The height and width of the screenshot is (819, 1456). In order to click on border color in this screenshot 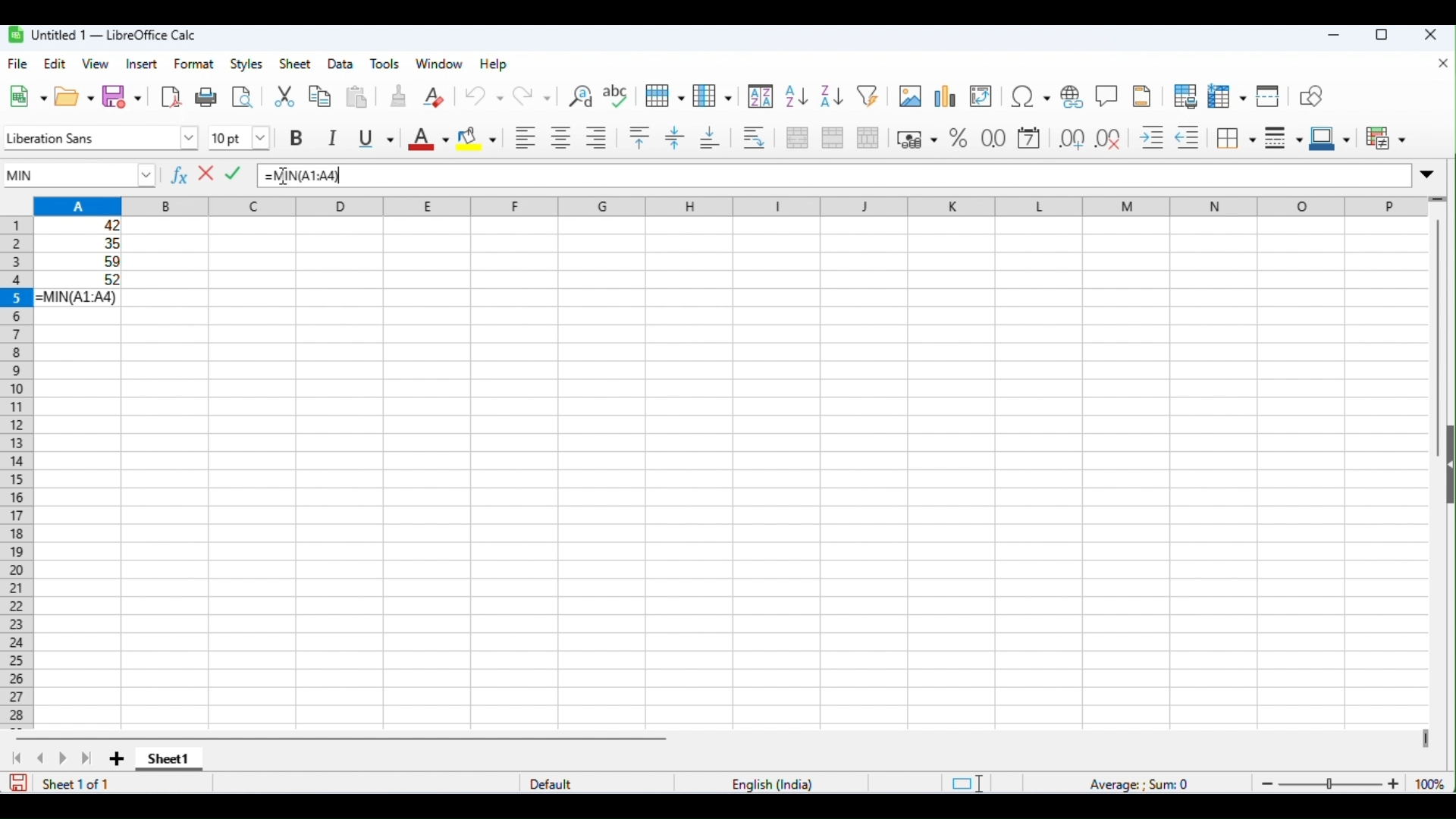, I will do `click(1329, 140)`.